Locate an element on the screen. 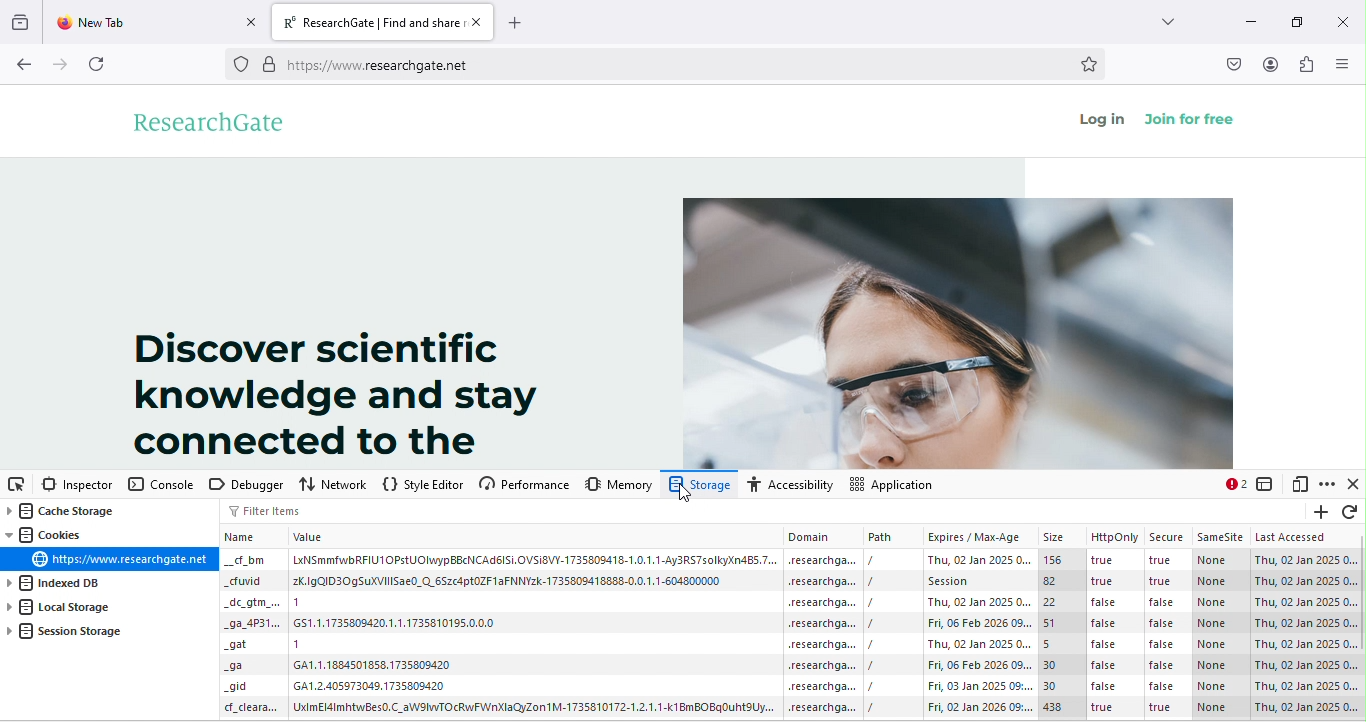 This screenshot has height=722, width=1366. false is located at coordinates (1105, 665).